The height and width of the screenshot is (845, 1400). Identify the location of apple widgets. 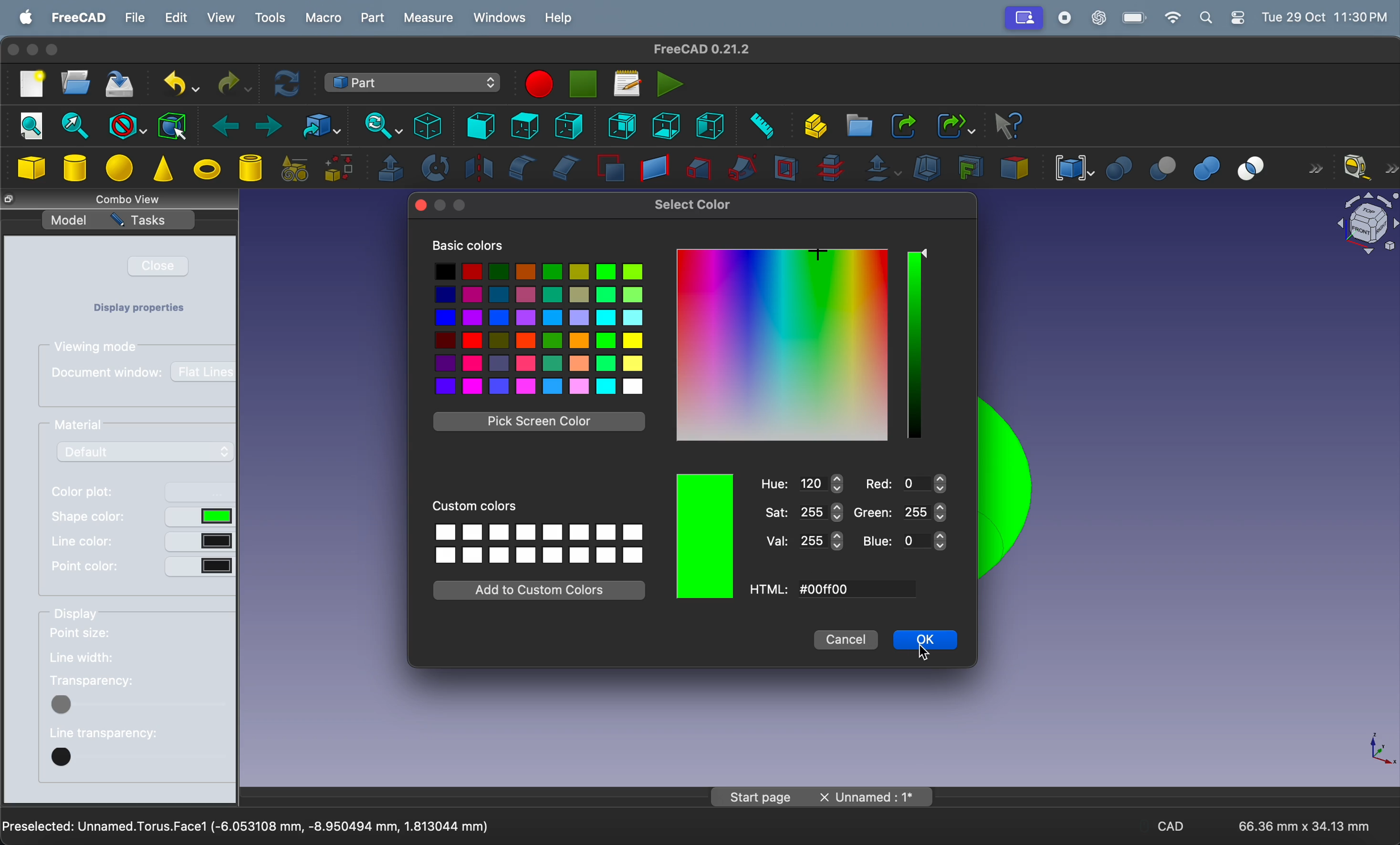
(1209, 18).